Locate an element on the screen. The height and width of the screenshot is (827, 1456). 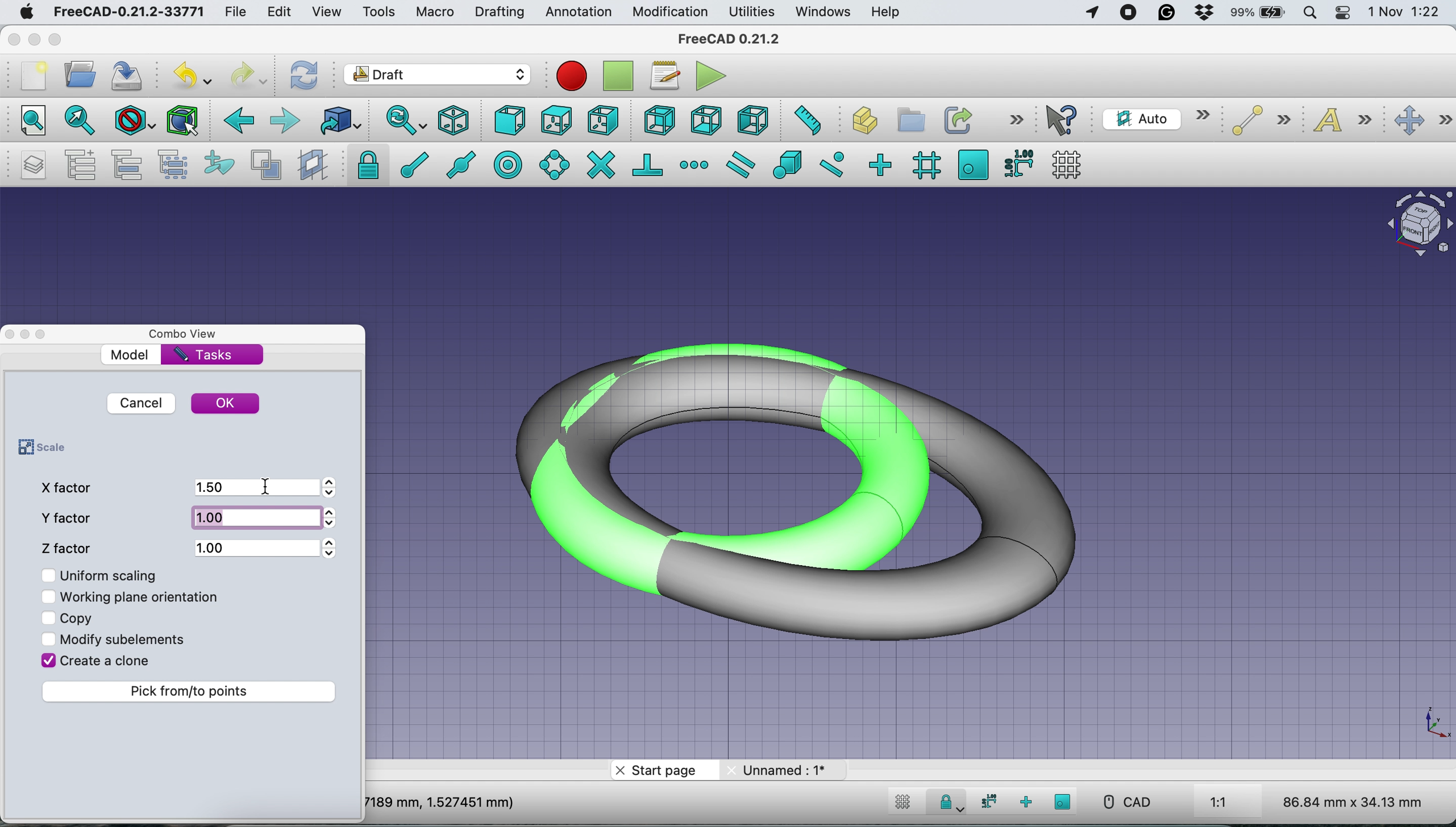
snap lock is located at coordinates (363, 165).